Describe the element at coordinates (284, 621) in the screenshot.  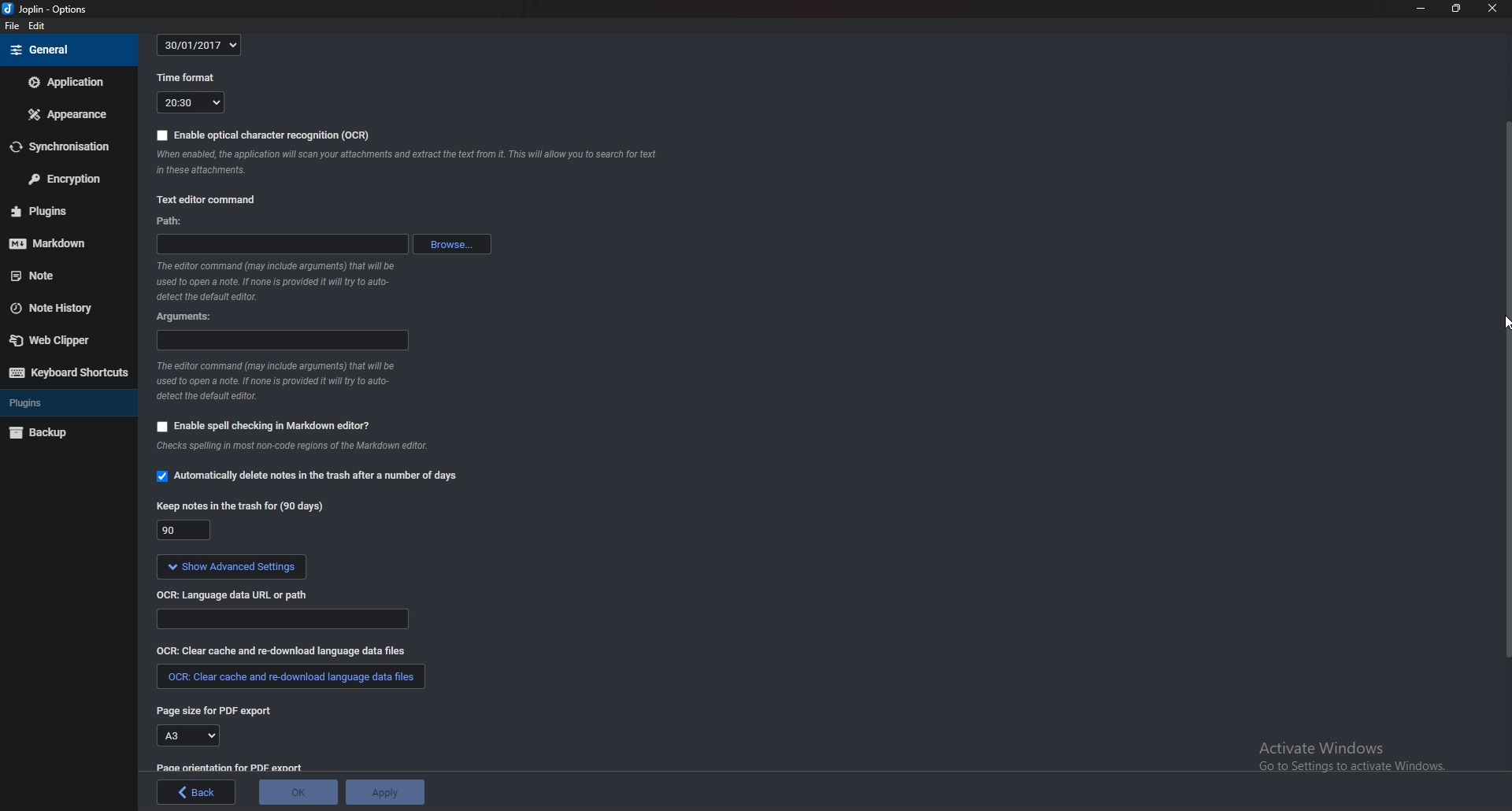
I see `Language data` at that location.